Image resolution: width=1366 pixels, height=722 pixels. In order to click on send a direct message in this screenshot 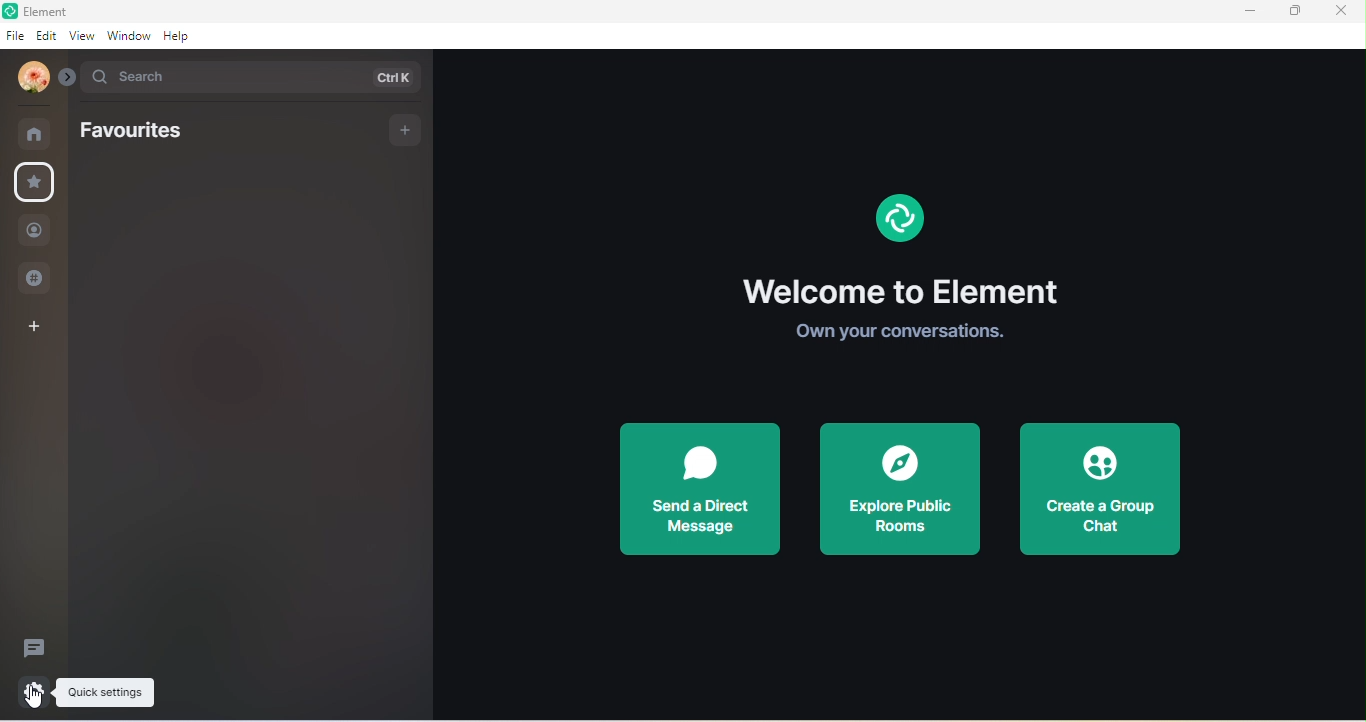, I will do `click(697, 486)`.